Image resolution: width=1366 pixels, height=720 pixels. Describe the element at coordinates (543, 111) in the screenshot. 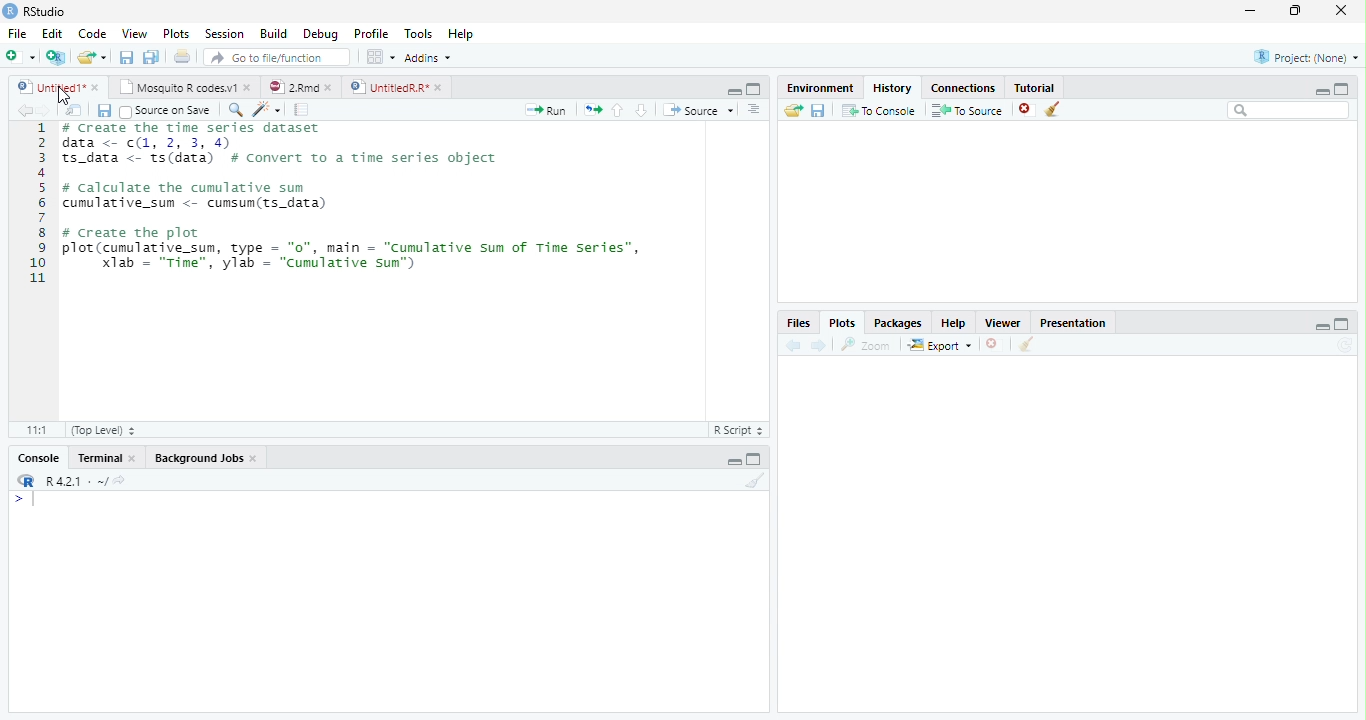

I see `Run` at that location.